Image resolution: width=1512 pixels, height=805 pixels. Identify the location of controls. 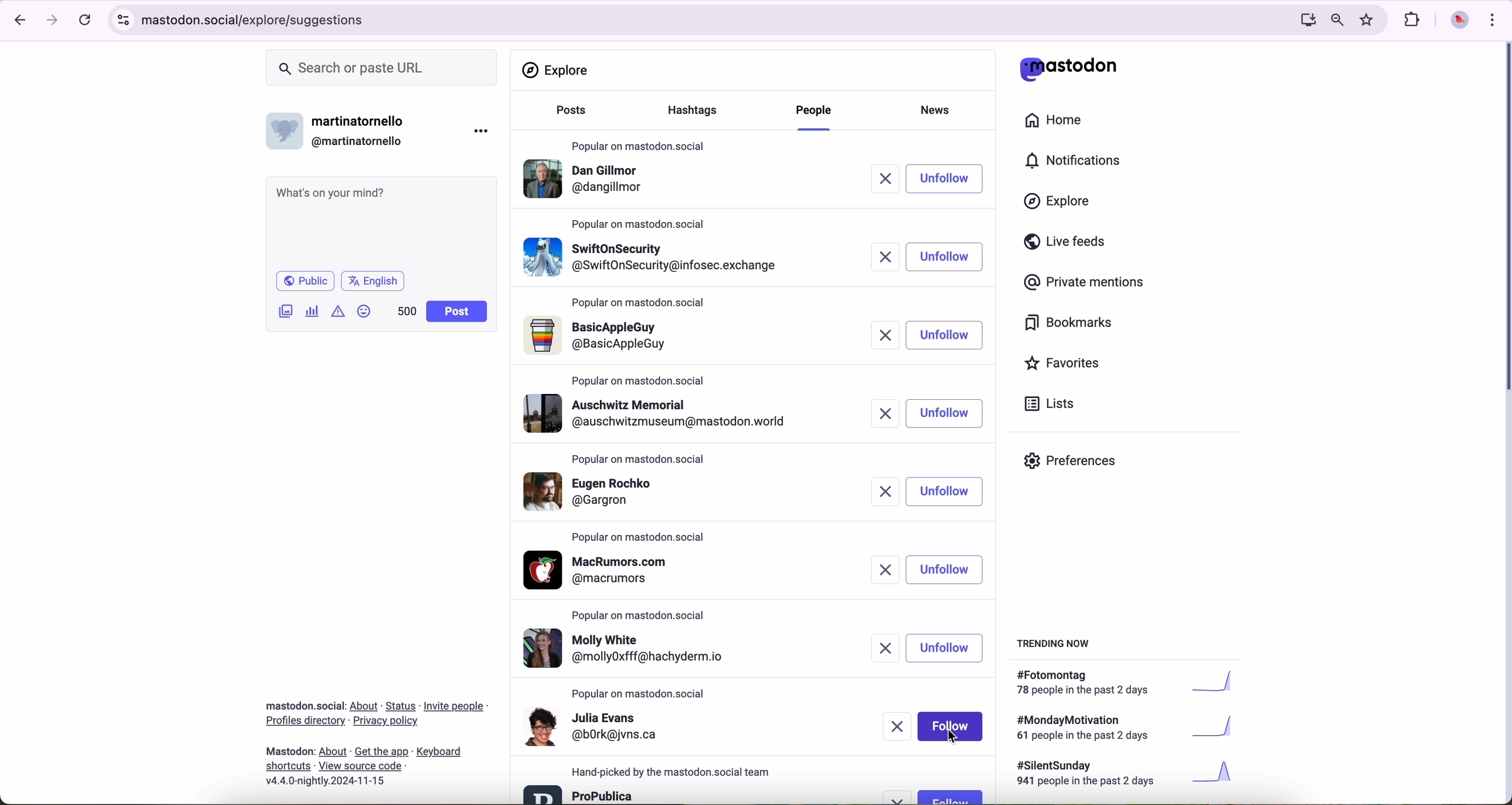
(124, 20).